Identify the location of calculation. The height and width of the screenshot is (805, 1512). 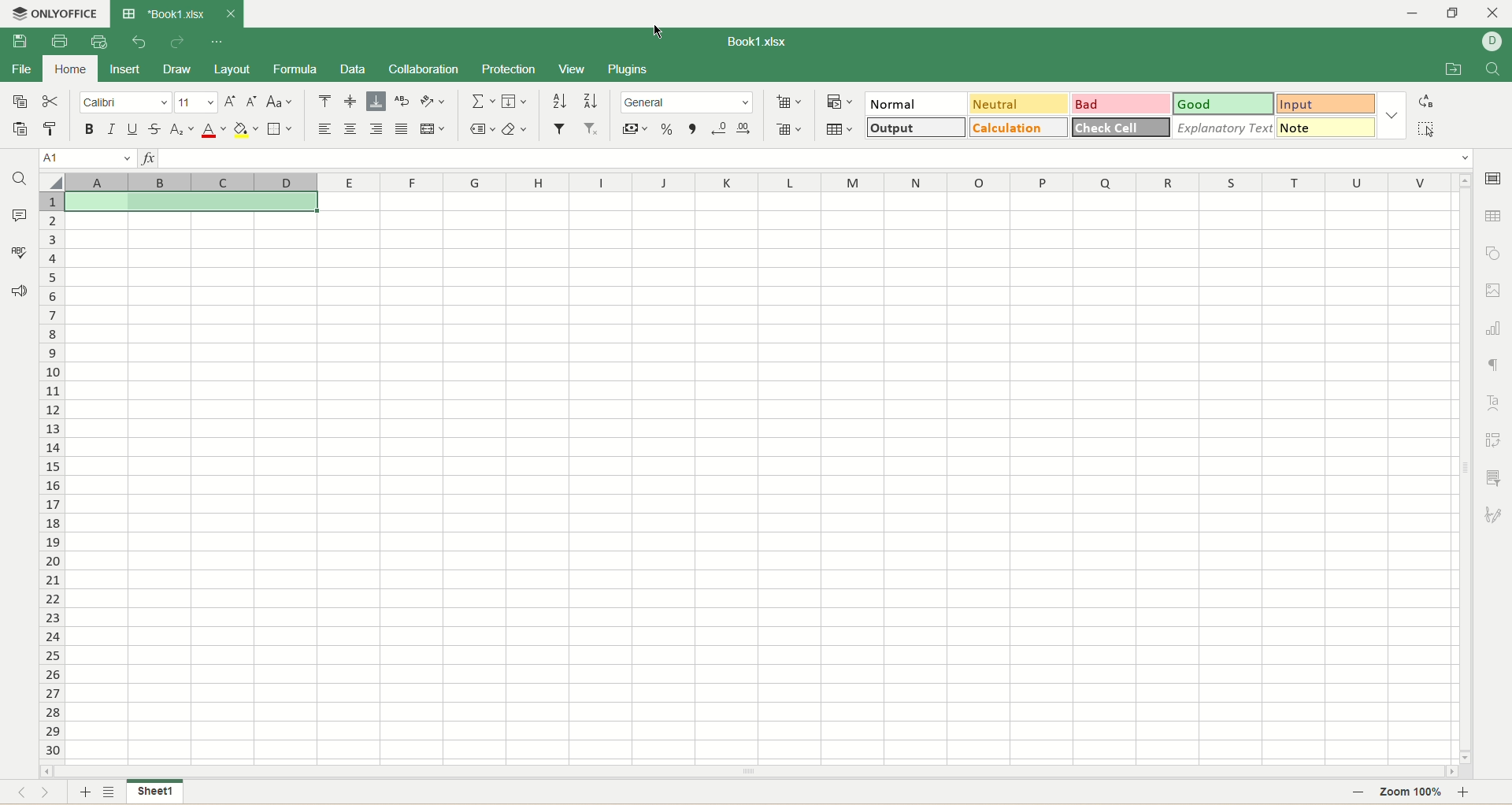
(1015, 128).